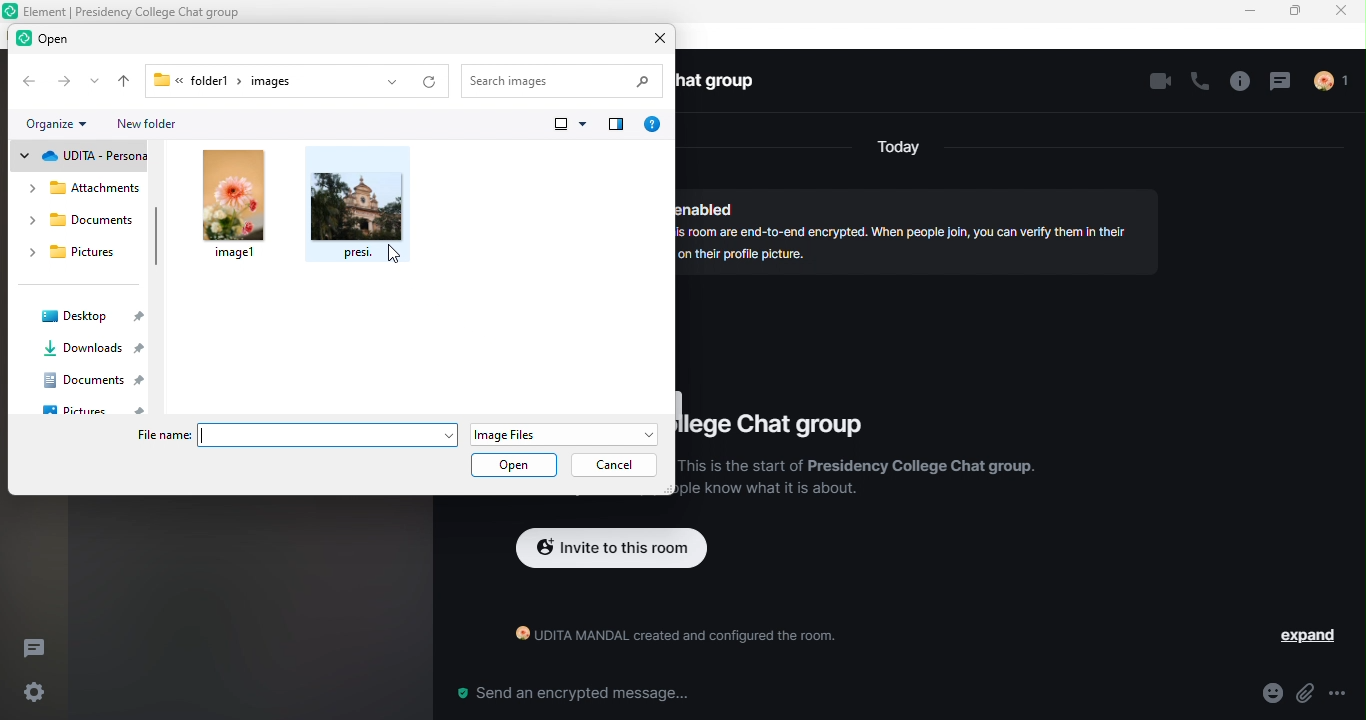 The image size is (1366, 720). What do you see at coordinates (93, 351) in the screenshot?
I see `downloads` at bounding box center [93, 351].